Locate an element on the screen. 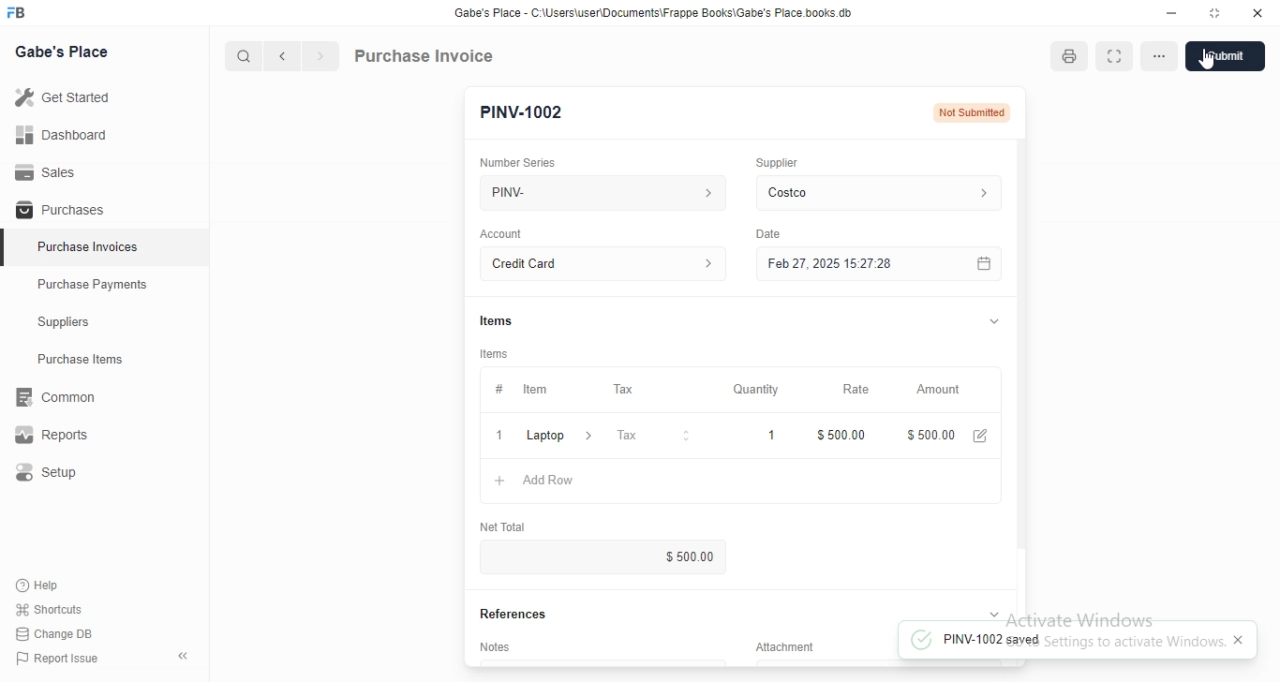 The height and width of the screenshot is (682, 1280). Dashboard is located at coordinates (104, 134).